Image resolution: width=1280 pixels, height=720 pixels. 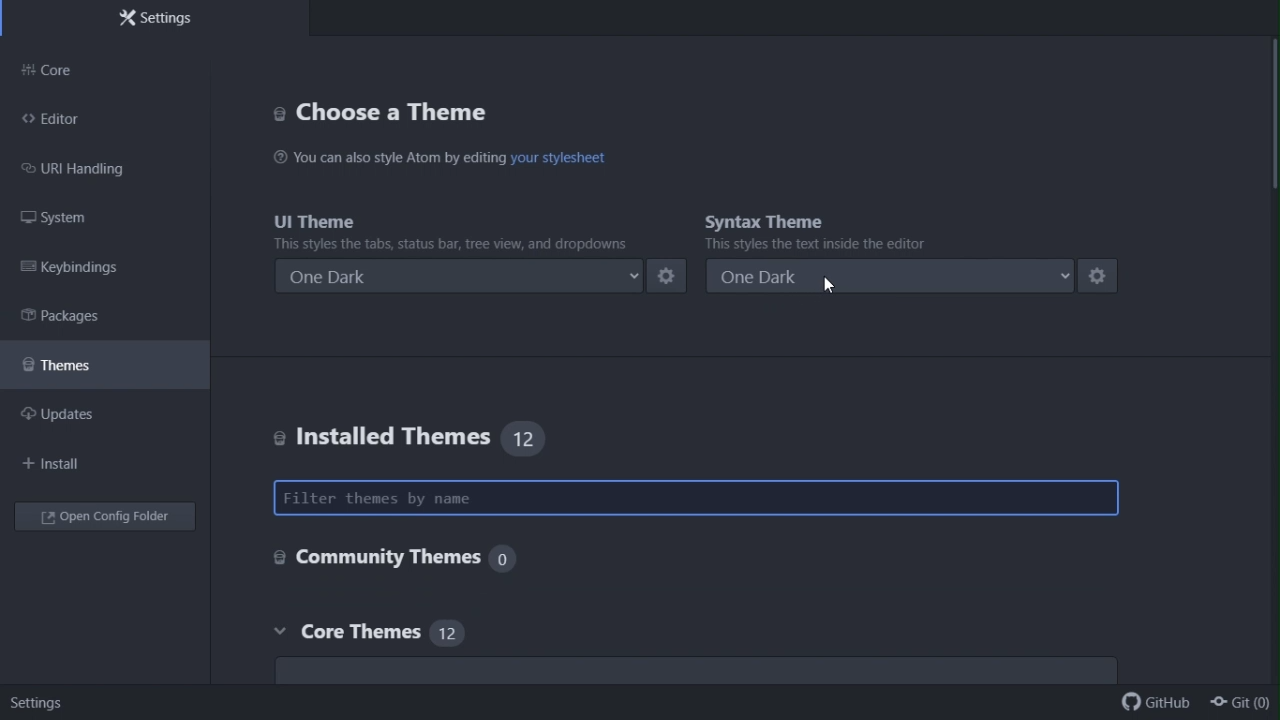 I want to click on vertical scroll bar, so click(x=1272, y=118).